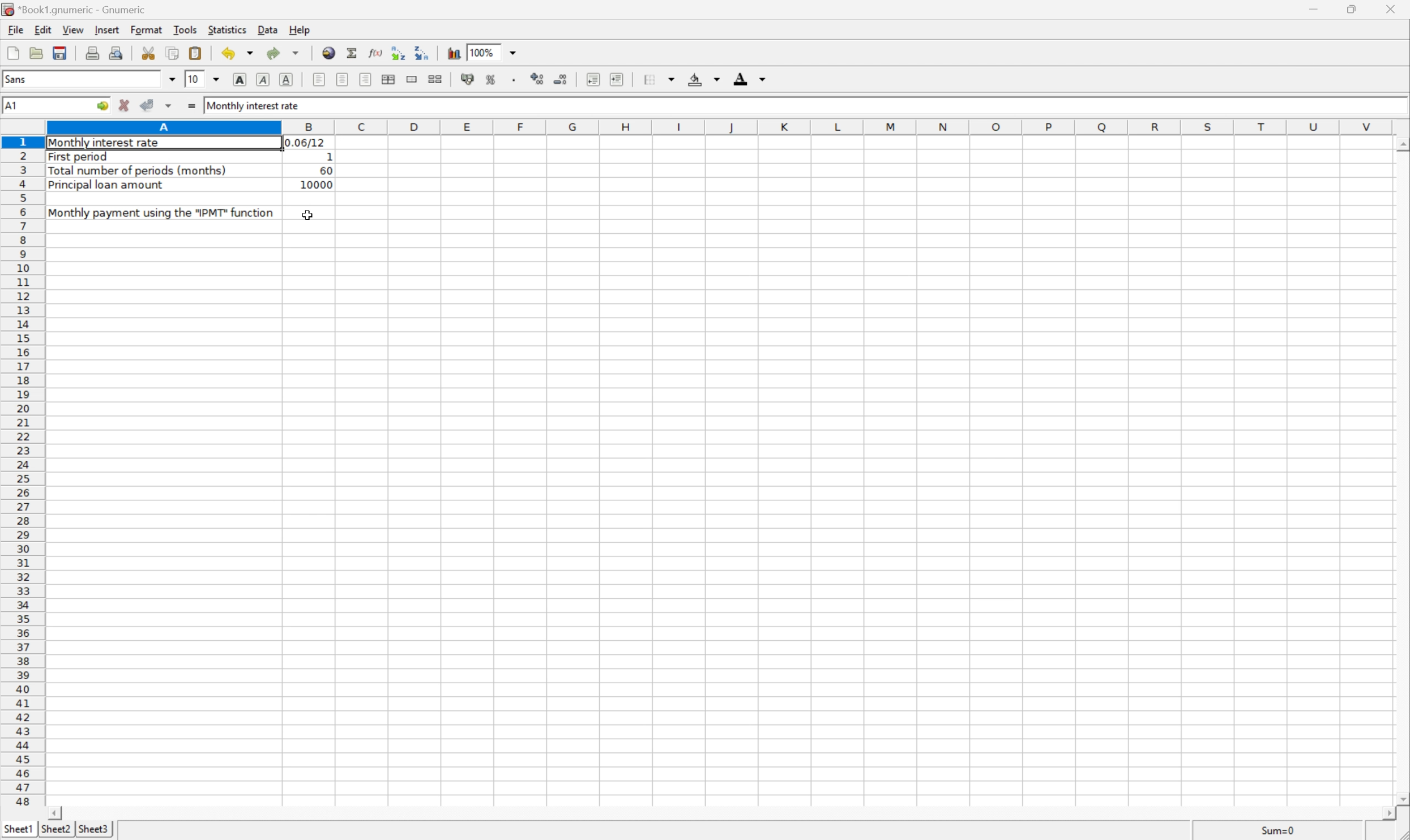 This screenshot has height=840, width=1410. Describe the element at coordinates (704, 80) in the screenshot. I see `Background` at that location.